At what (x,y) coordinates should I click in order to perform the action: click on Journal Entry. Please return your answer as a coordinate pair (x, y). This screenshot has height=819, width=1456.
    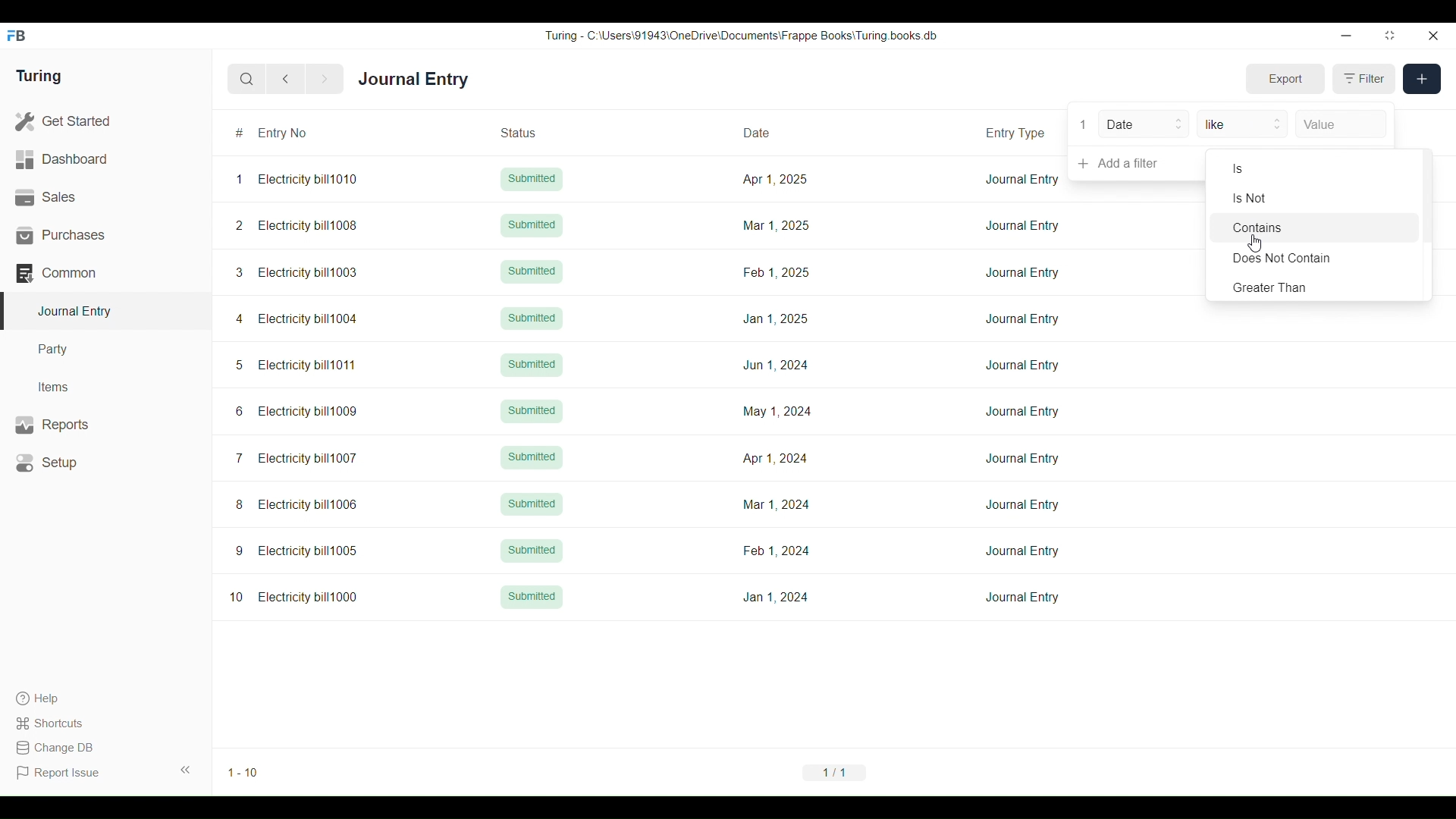
    Looking at the image, I should click on (1022, 365).